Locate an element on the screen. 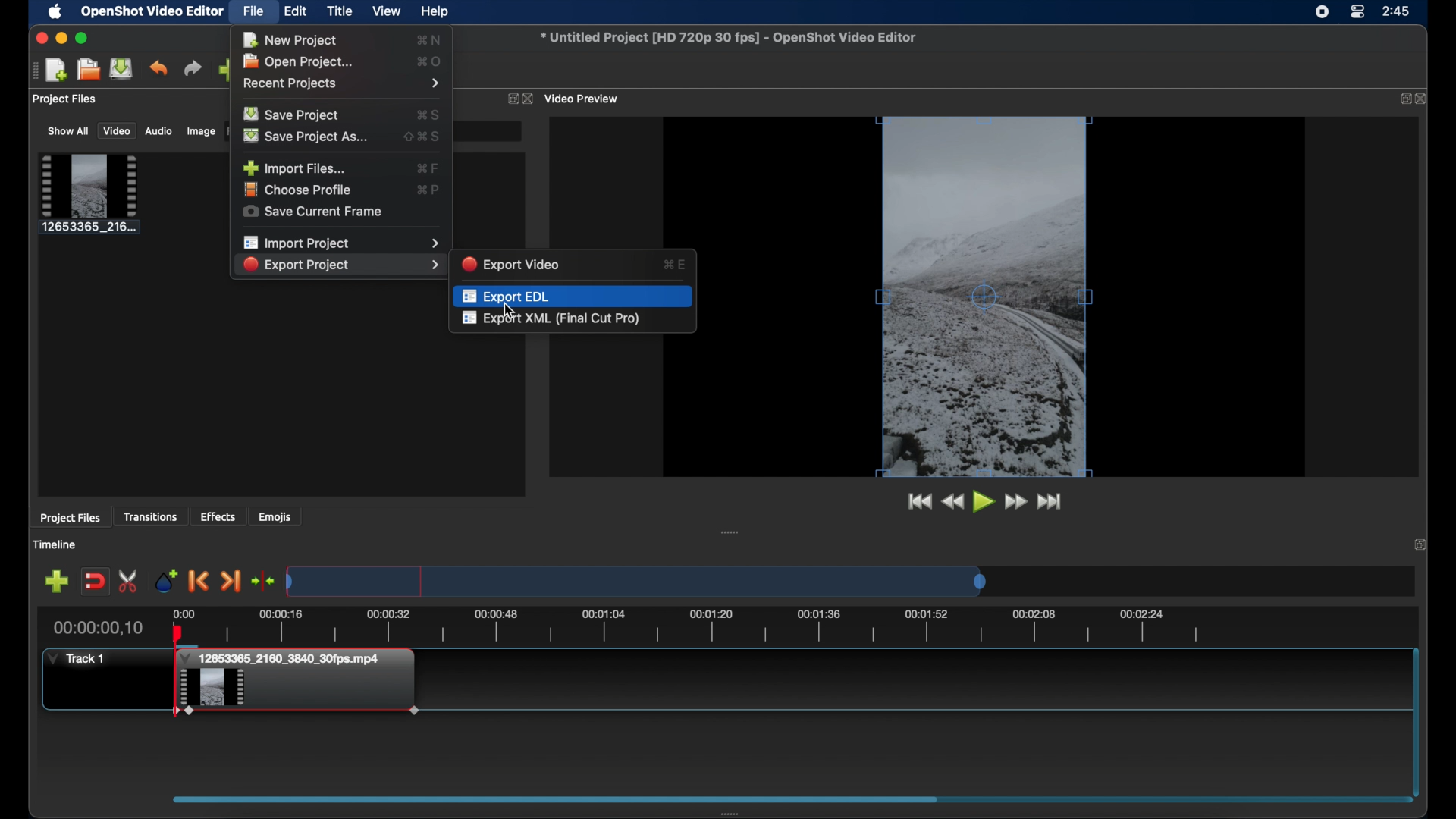 Image resolution: width=1456 pixels, height=819 pixels. enable razor is located at coordinates (130, 580).